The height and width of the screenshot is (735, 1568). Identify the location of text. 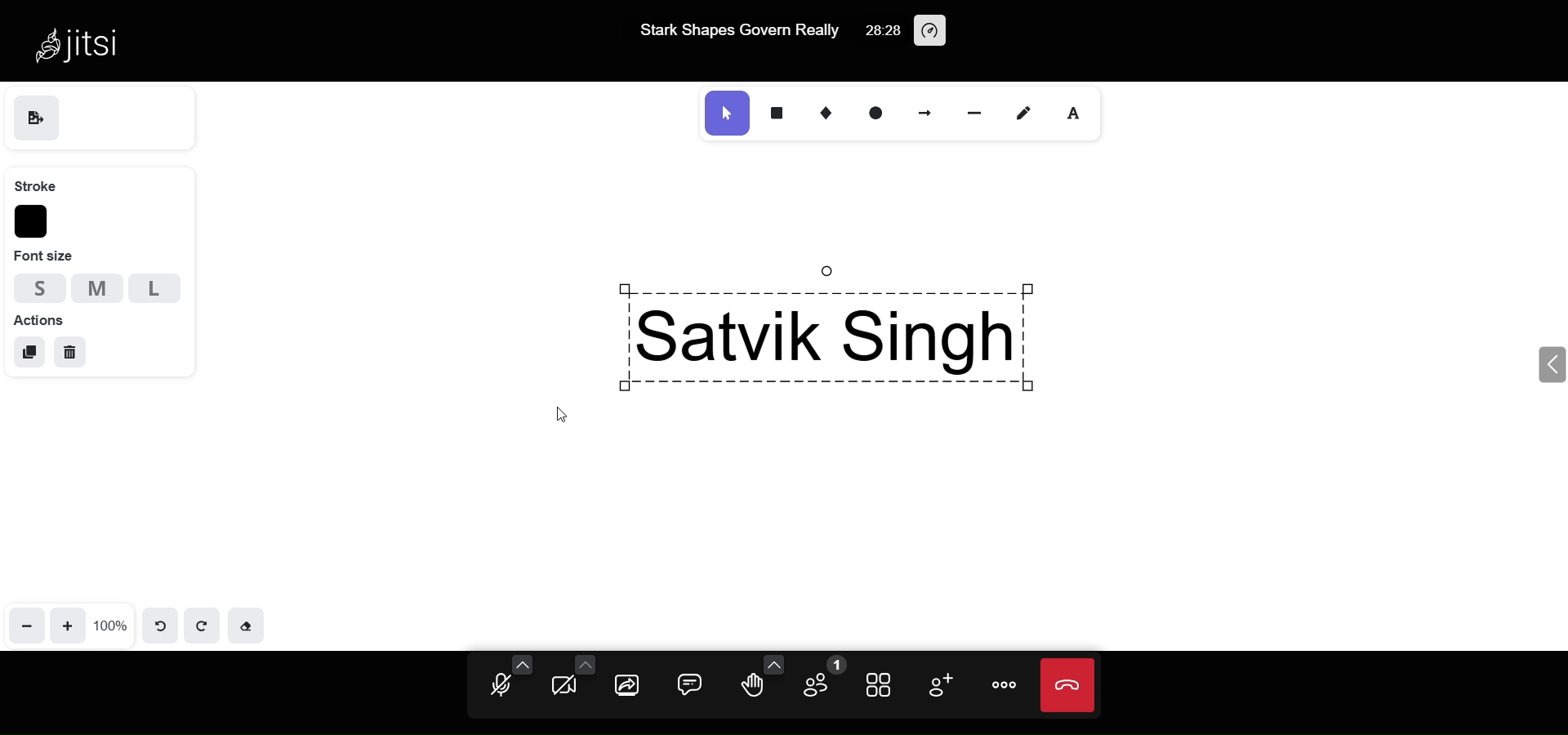
(1073, 111).